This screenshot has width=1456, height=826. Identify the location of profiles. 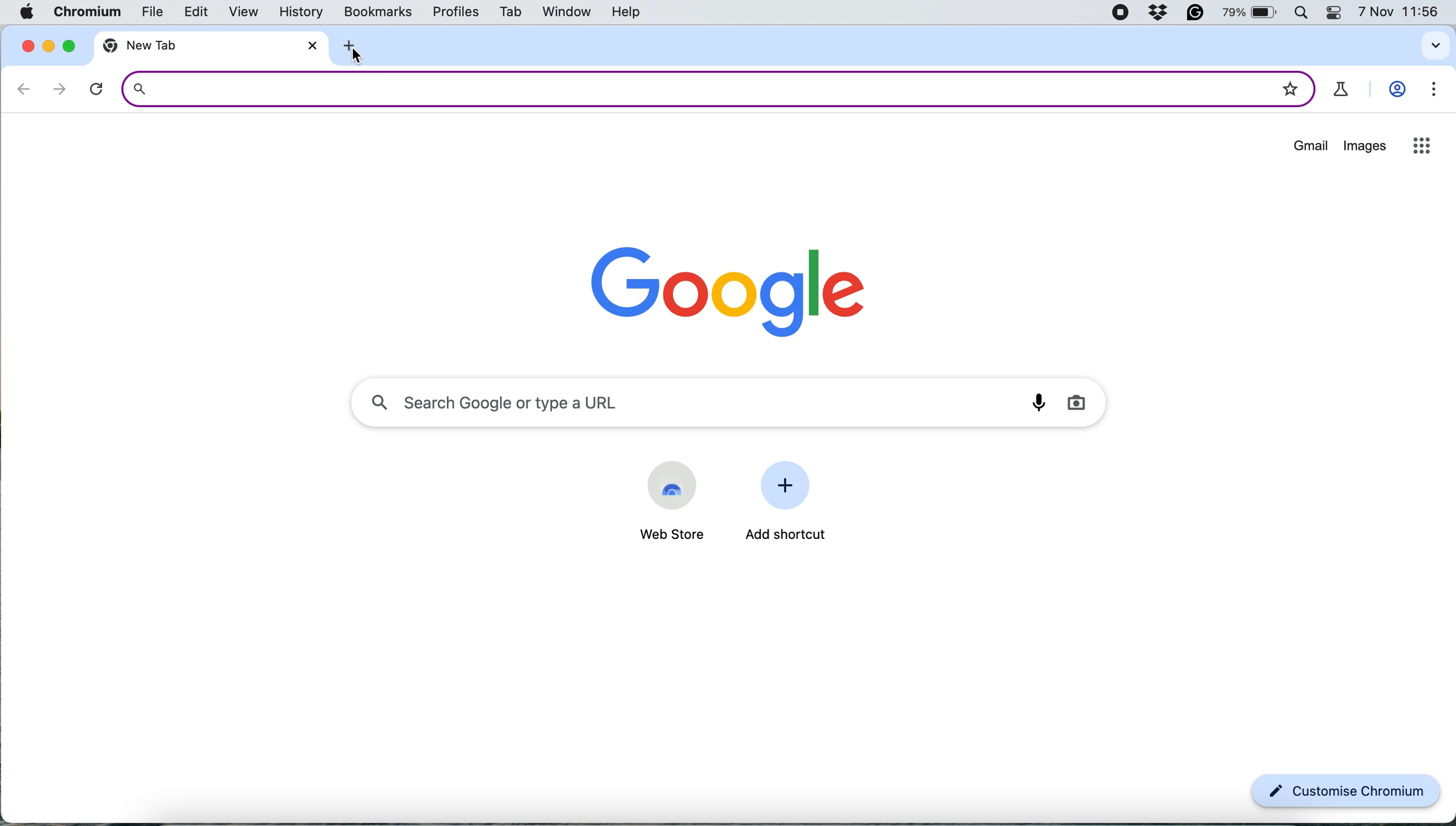
(455, 14).